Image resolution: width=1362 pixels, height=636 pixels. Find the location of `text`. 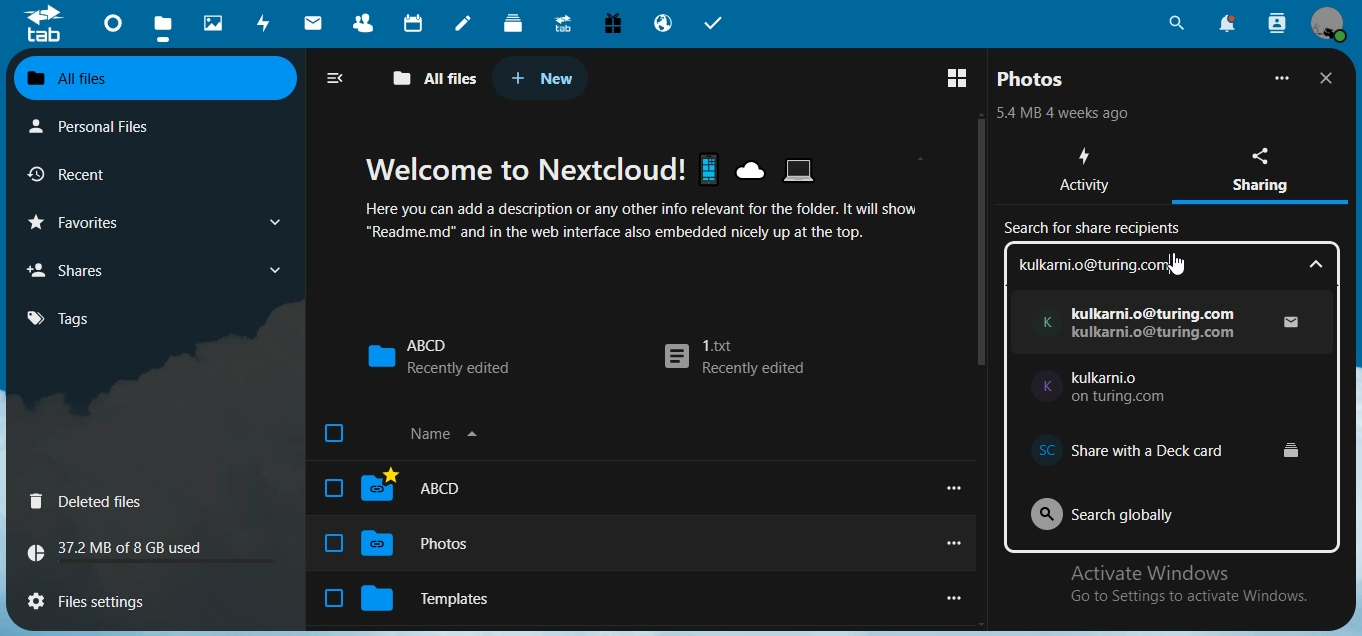

text is located at coordinates (1068, 113).